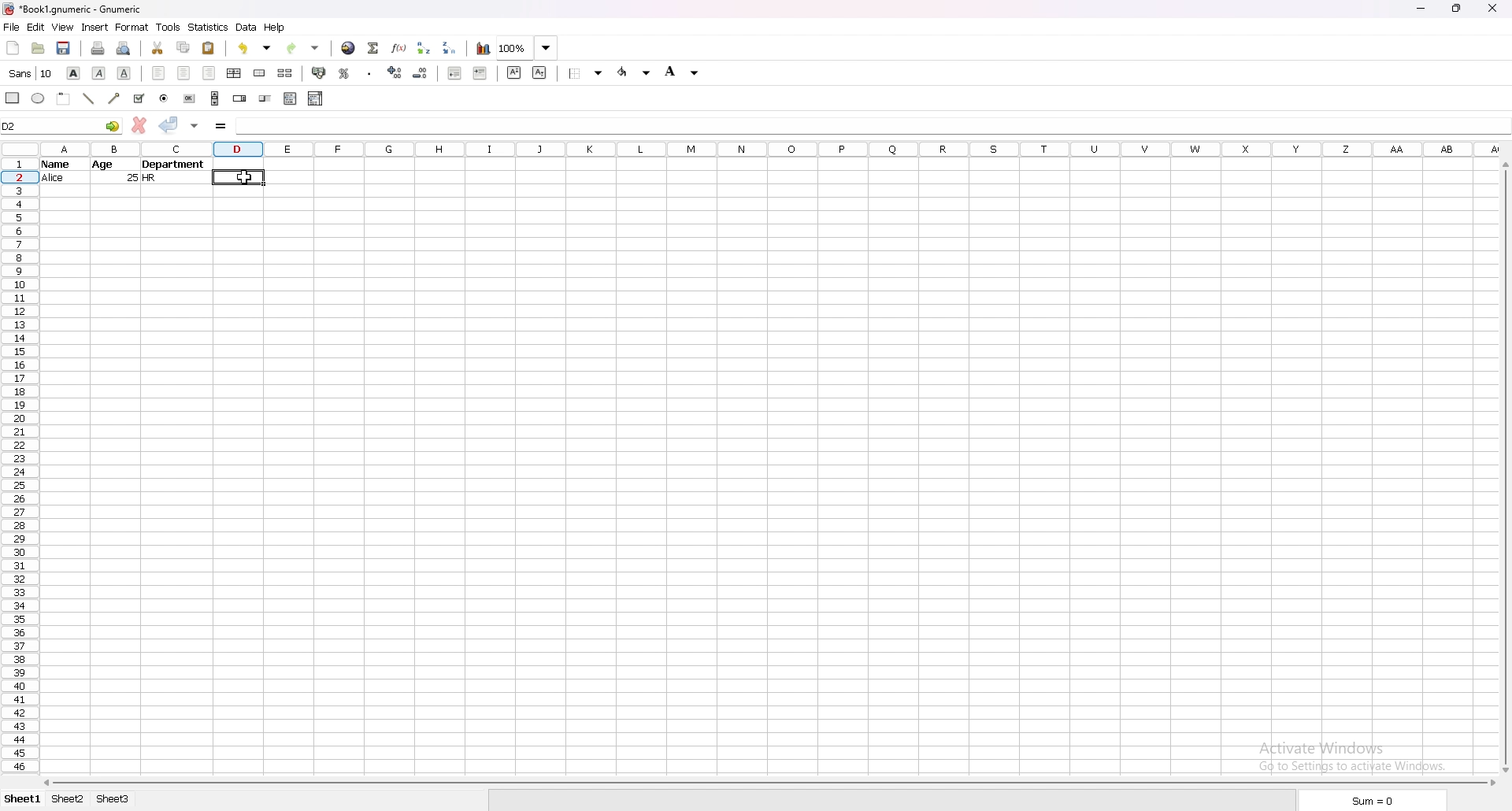  What do you see at coordinates (772, 150) in the screenshot?
I see `column` at bounding box center [772, 150].